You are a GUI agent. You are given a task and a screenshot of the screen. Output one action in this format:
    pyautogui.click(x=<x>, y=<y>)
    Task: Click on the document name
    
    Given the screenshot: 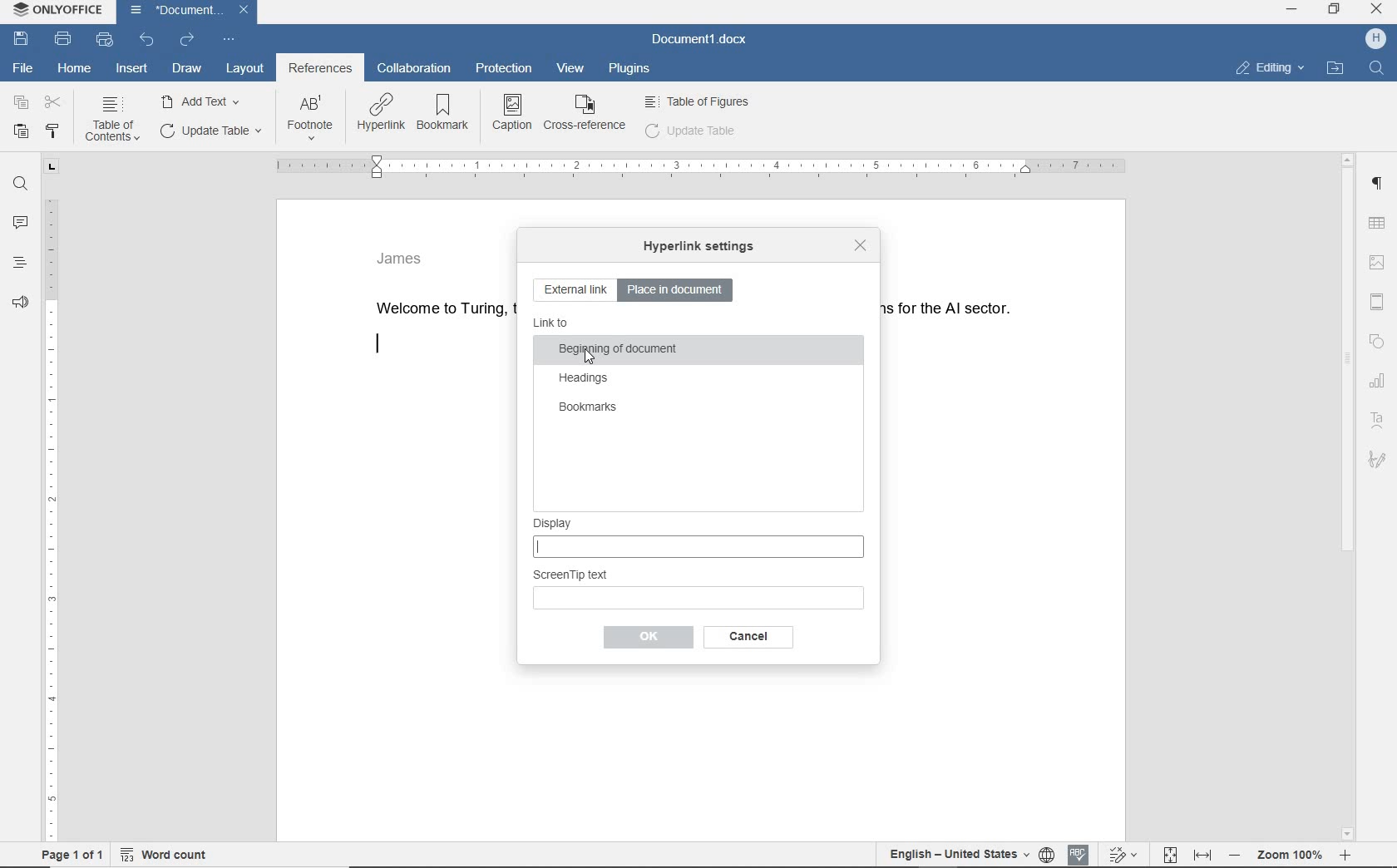 What is the action you would take?
    pyautogui.click(x=699, y=39)
    